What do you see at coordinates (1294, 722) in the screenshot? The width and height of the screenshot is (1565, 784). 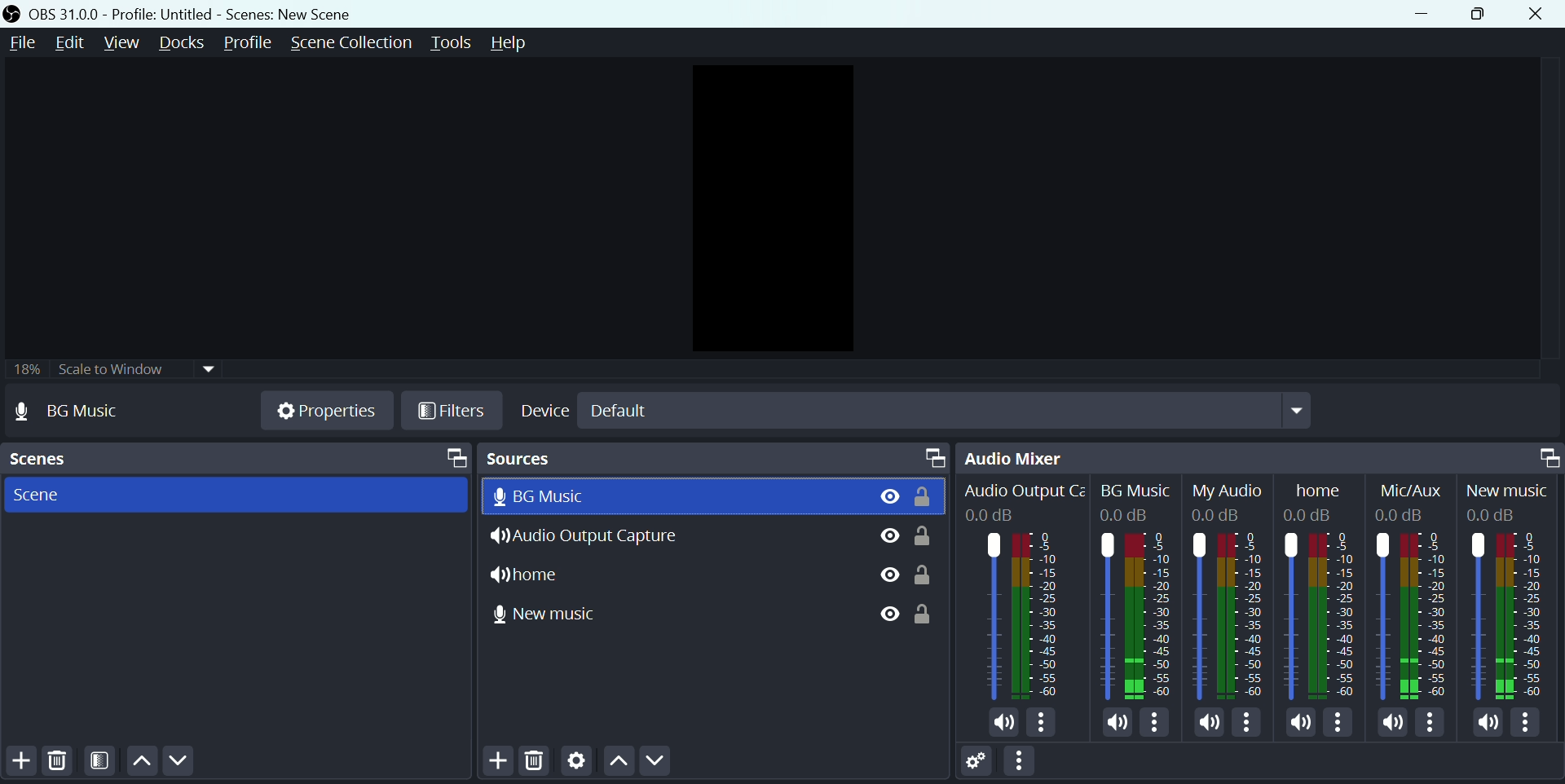 I see `Mute/Unmute` at bounding box center [1294, 722].